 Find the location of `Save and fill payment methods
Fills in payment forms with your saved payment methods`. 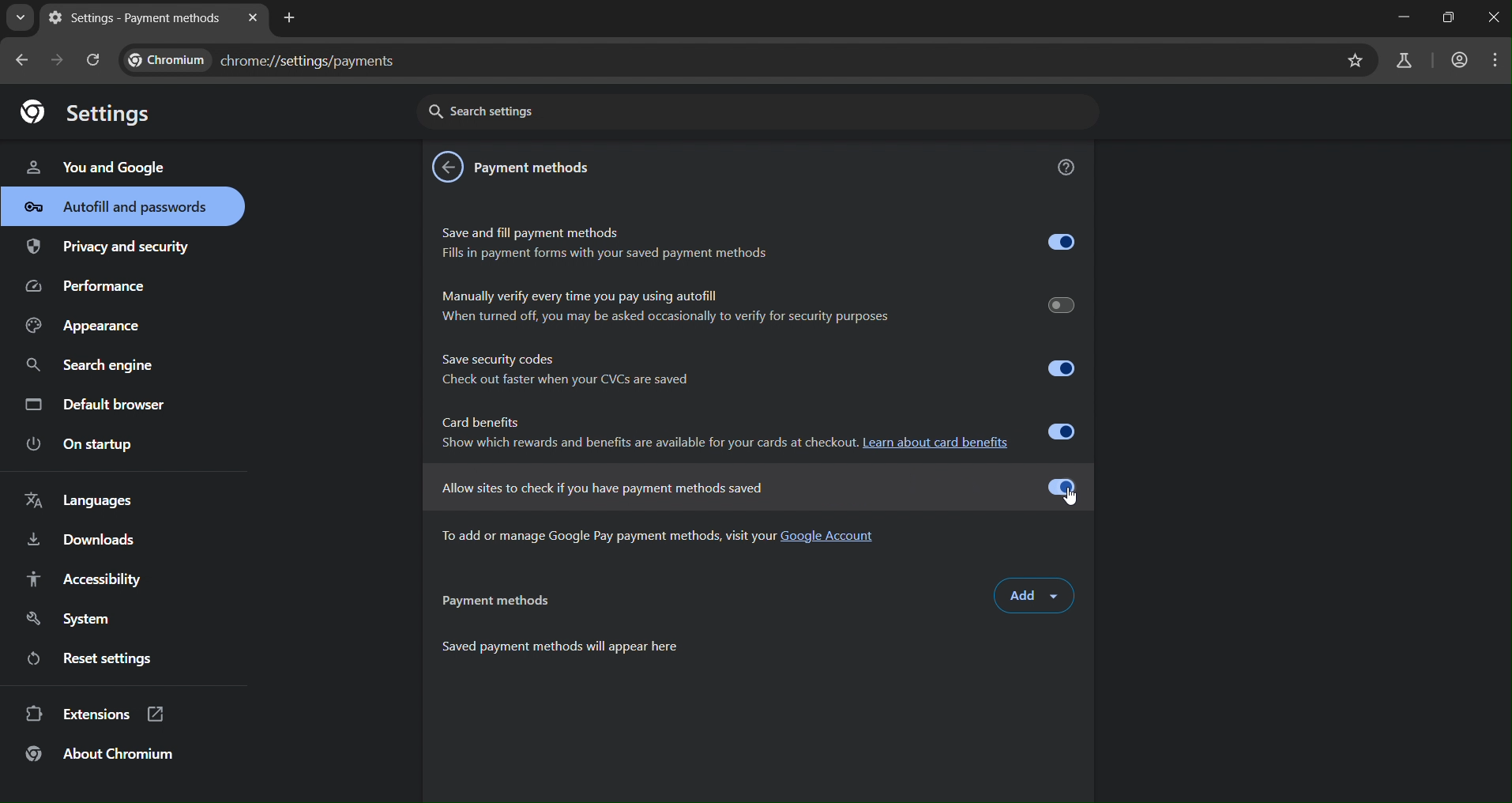

Save and fill payment methods
Fills in payment forms with your saved payment methods is located at coordinates (755, 242).